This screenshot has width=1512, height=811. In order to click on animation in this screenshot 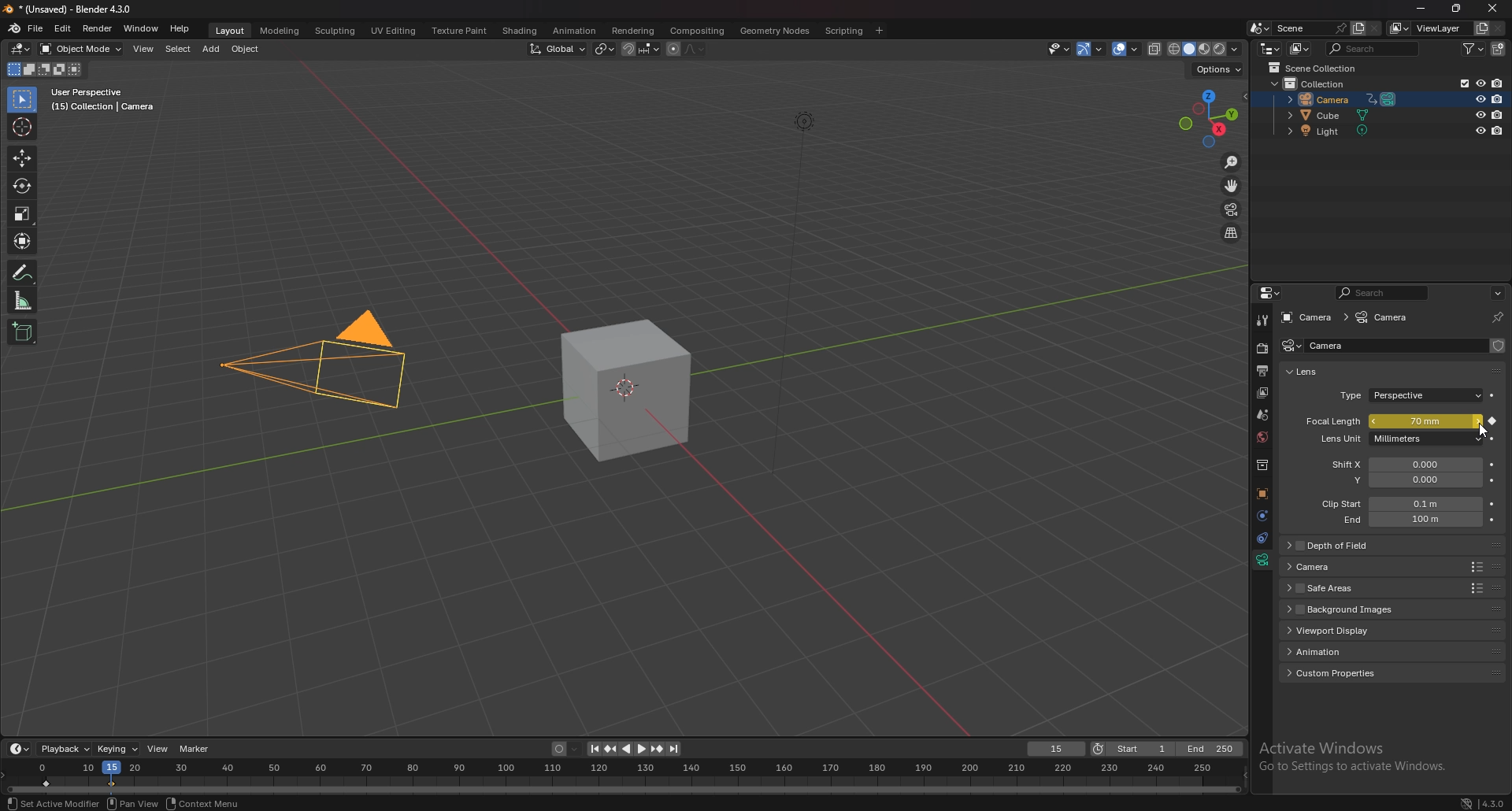, I will do `click(1347, 650)`.